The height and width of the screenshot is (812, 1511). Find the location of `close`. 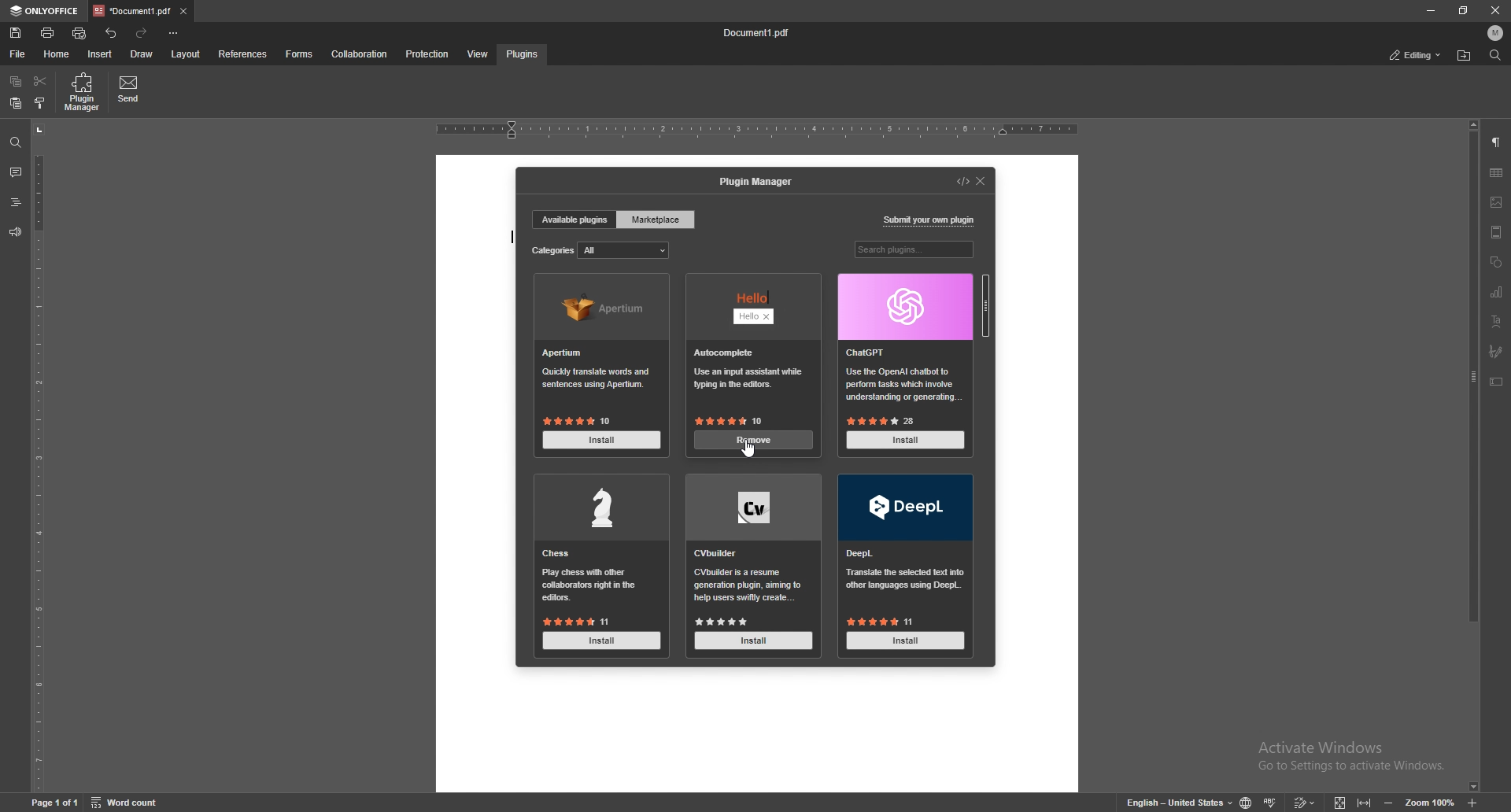

close is located at coordinates (1495, 11).